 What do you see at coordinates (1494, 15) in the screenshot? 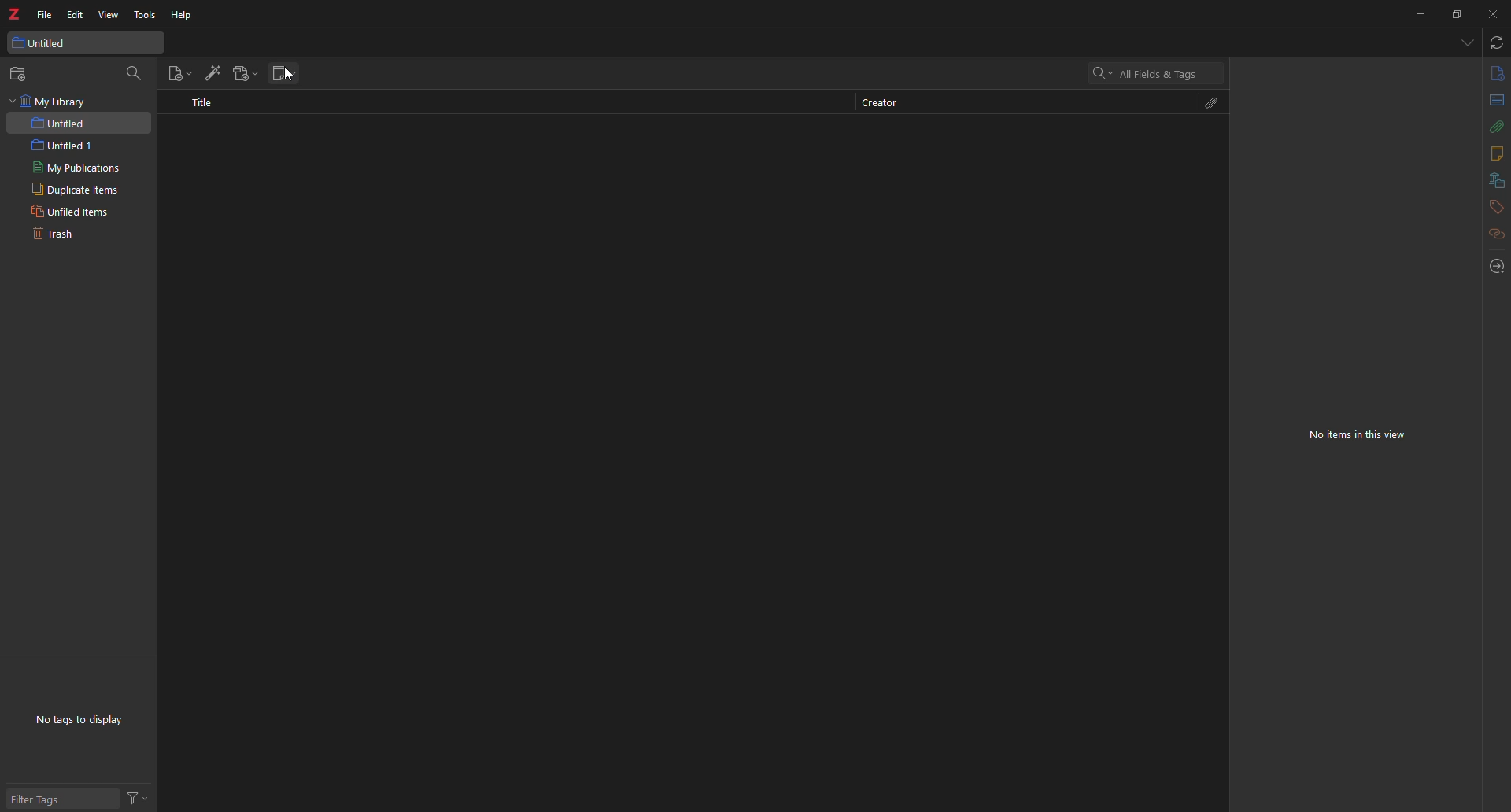
I see `close` at bounding box center [1494, 15].